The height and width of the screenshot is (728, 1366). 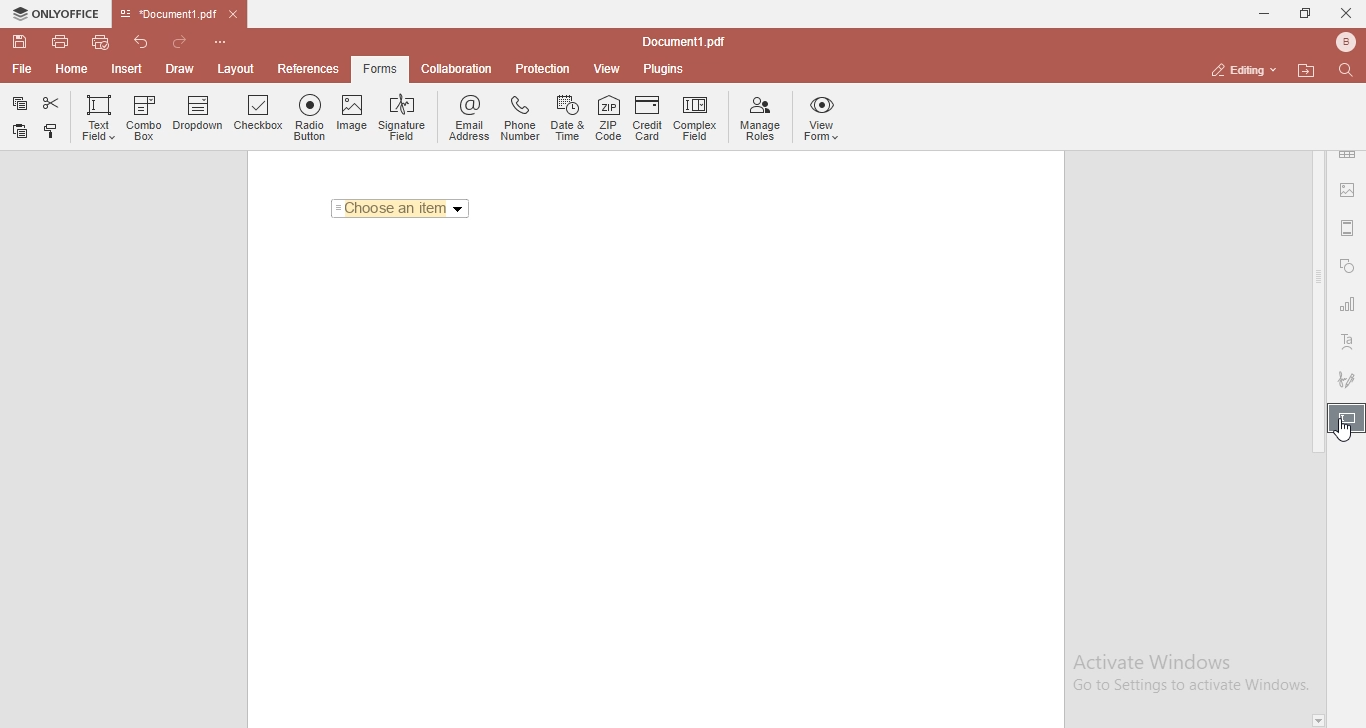 What do you see at coordinates (461, 67) in the screenshot?
I see `collaboration` at bounding box center [461, 67].